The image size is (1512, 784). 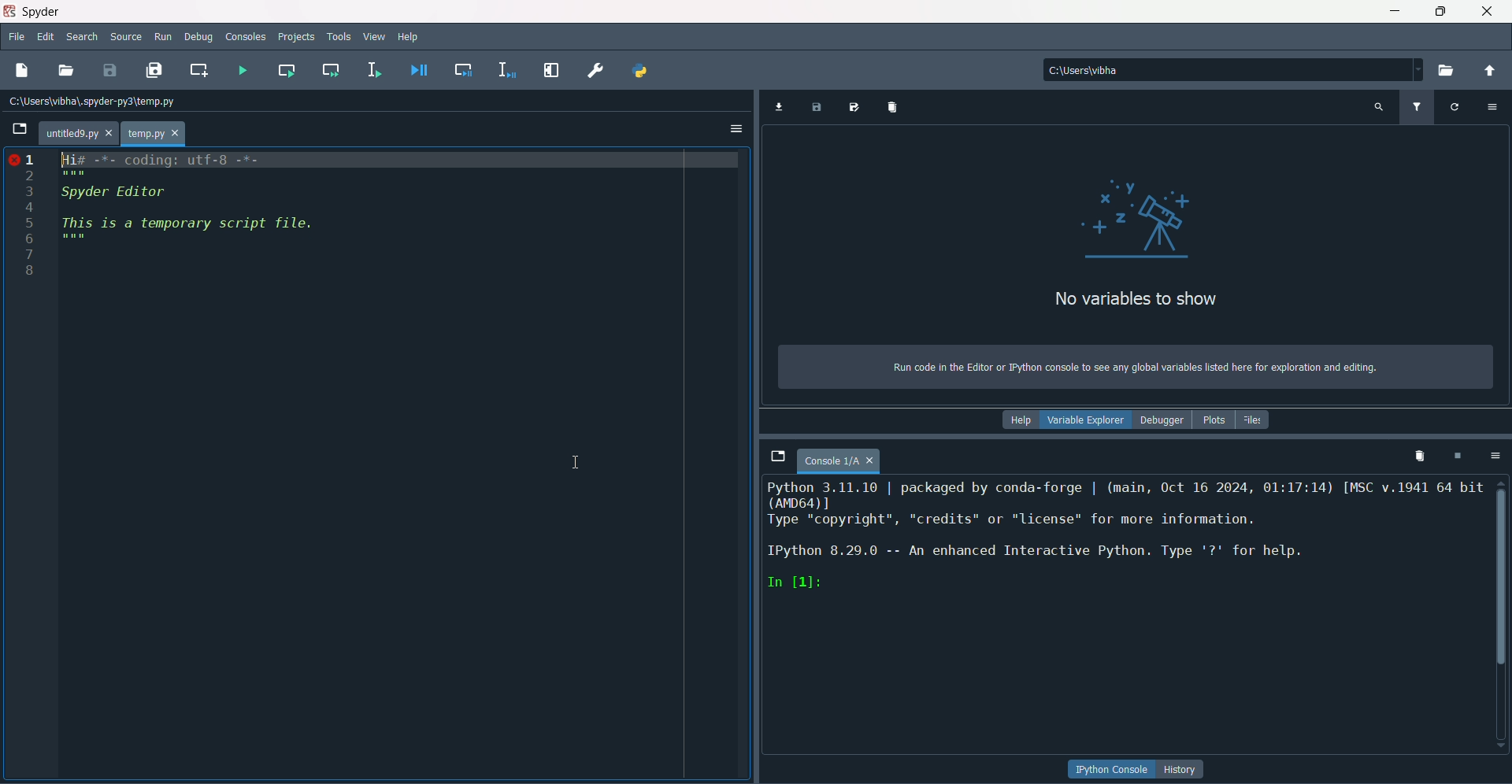 I want to click on run current cells, so click(x=287, y=71).